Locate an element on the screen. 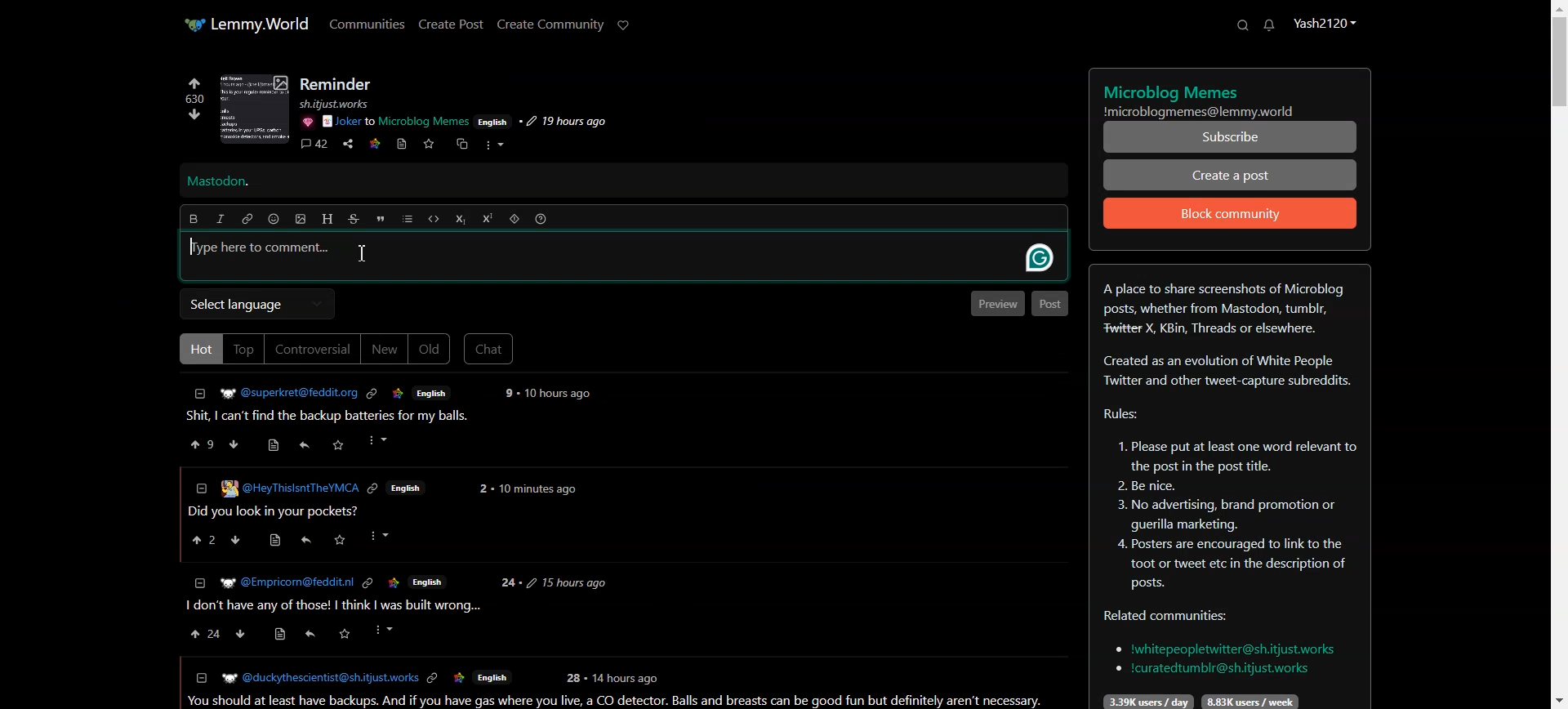 The image size is (1568, 709).  is located at coordinates (281, 635).